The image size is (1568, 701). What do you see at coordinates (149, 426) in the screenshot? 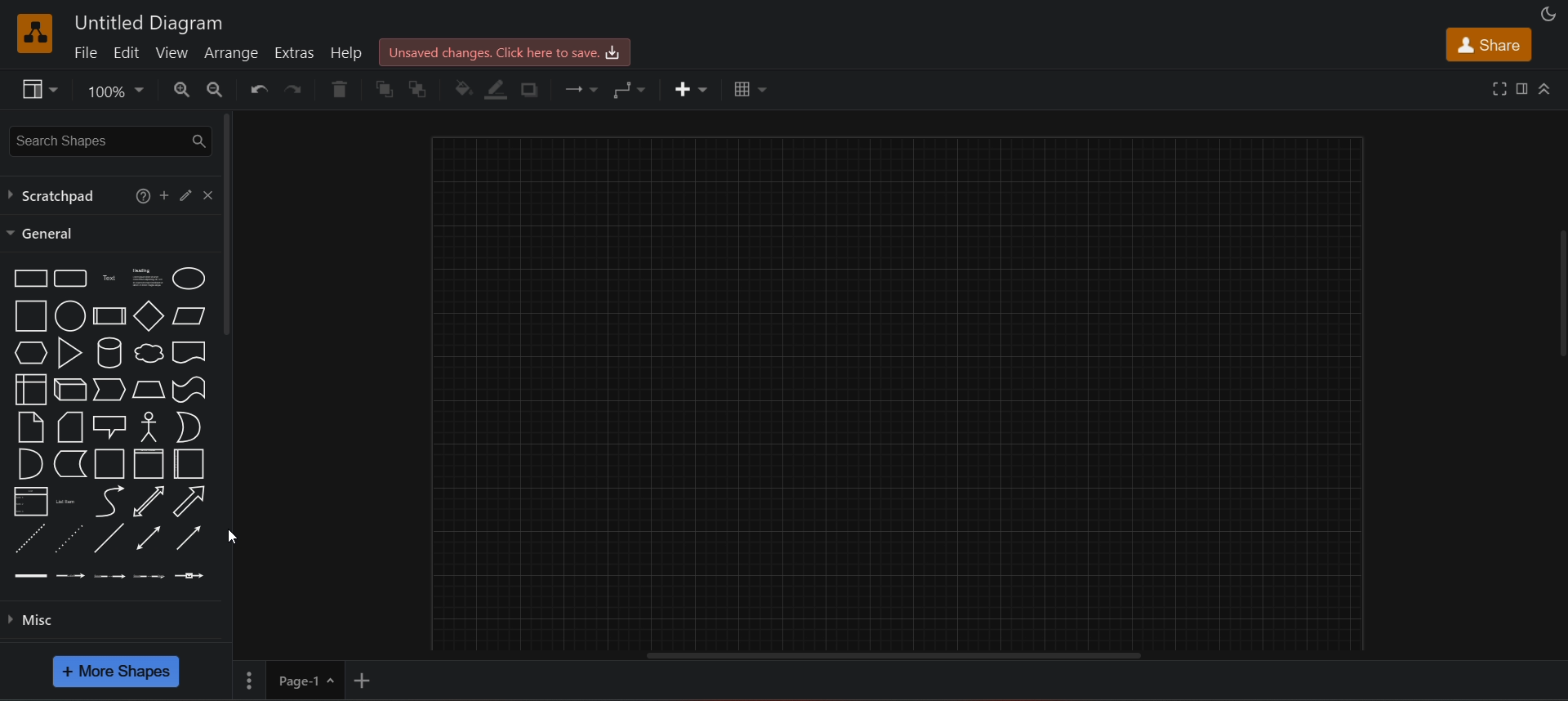
I see `actor` at bounding box center [149, 426].